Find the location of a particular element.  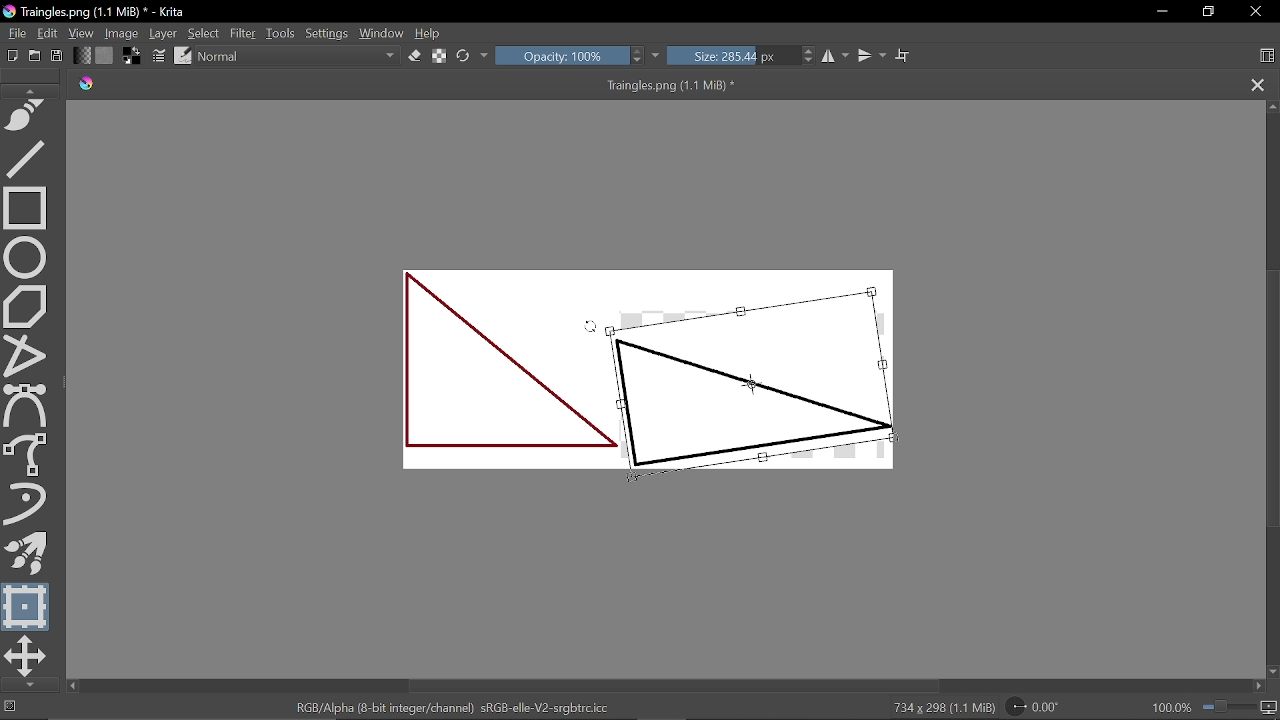

Gradient fill is located at coordinates (81, 56).